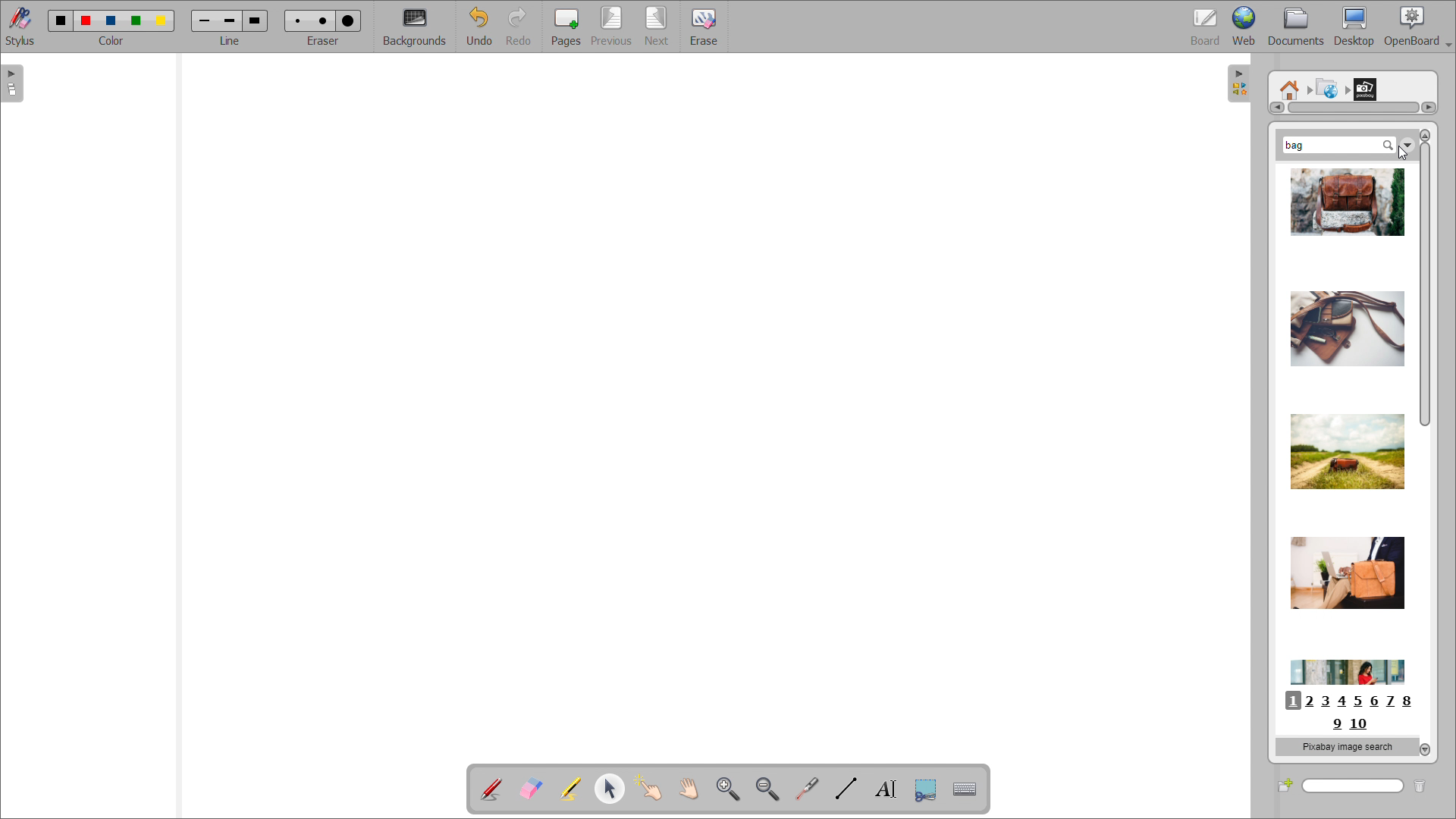 The width and height of the screenshot is (1456, 819). I want to click on eraser, so click(325, 39).